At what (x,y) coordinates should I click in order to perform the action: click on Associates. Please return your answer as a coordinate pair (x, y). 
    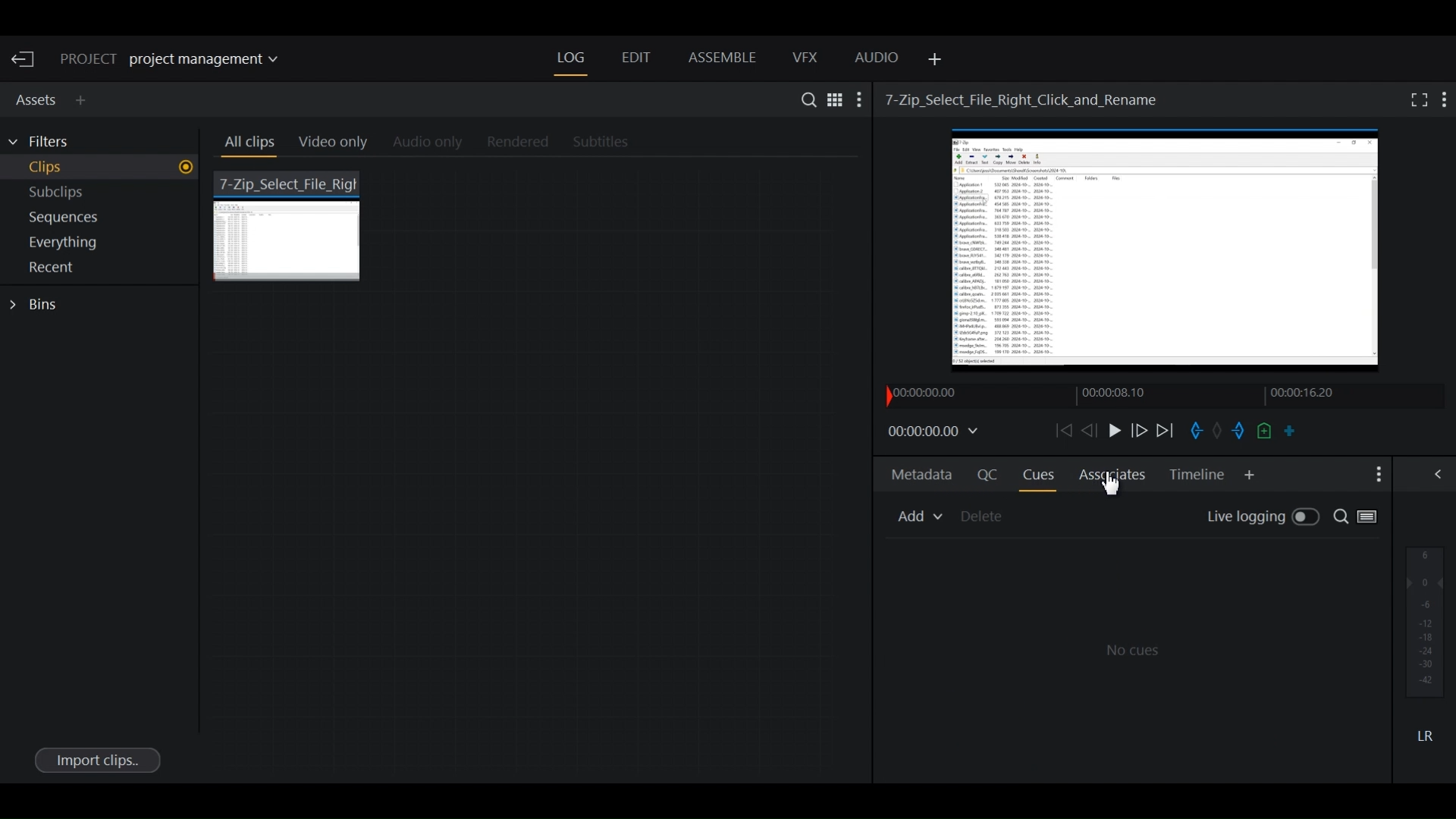
    Looking at the image, I should click on (1112, 474).